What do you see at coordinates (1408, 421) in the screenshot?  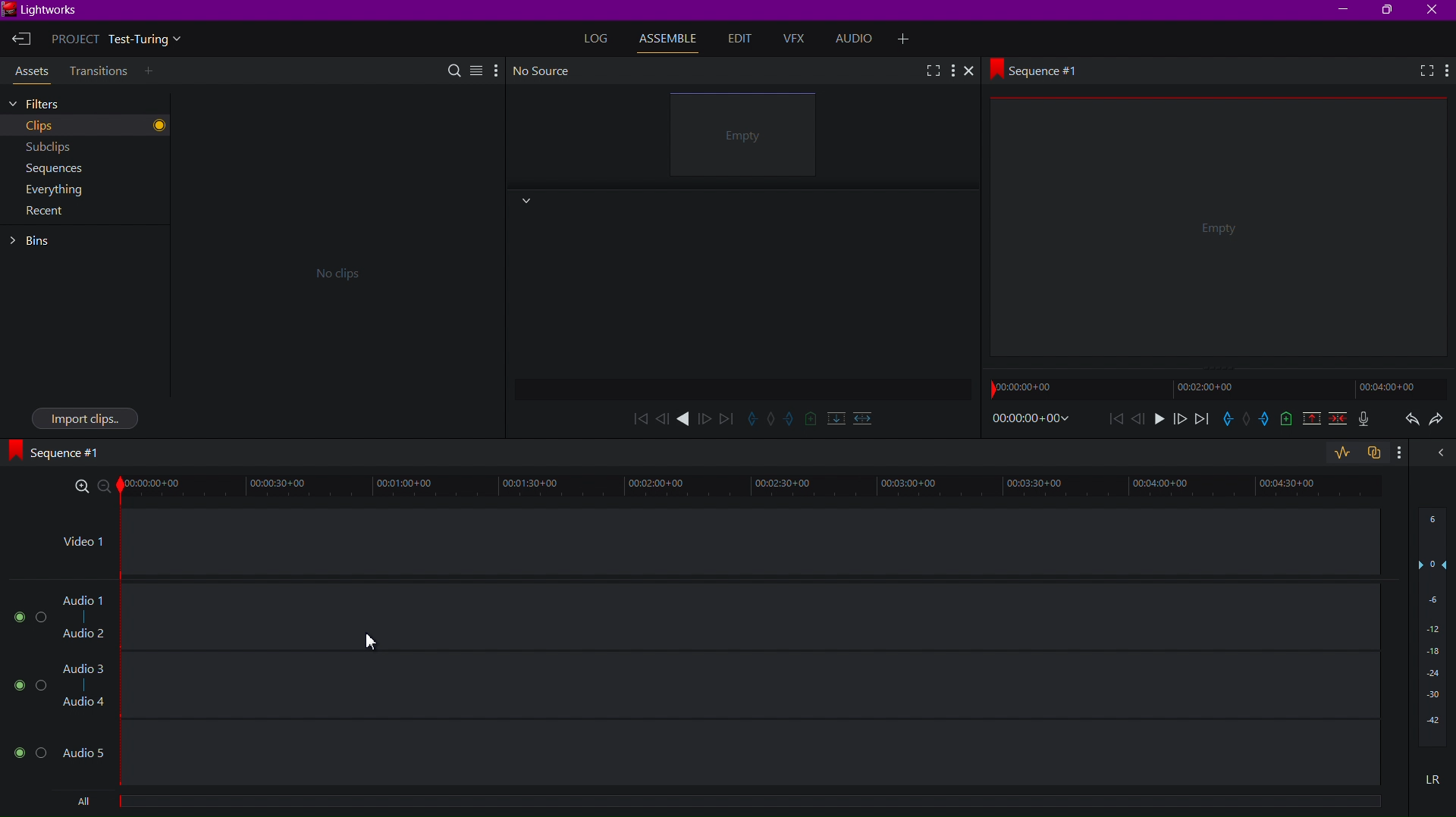 I see `Undo` at bounding box center [1408, 421].